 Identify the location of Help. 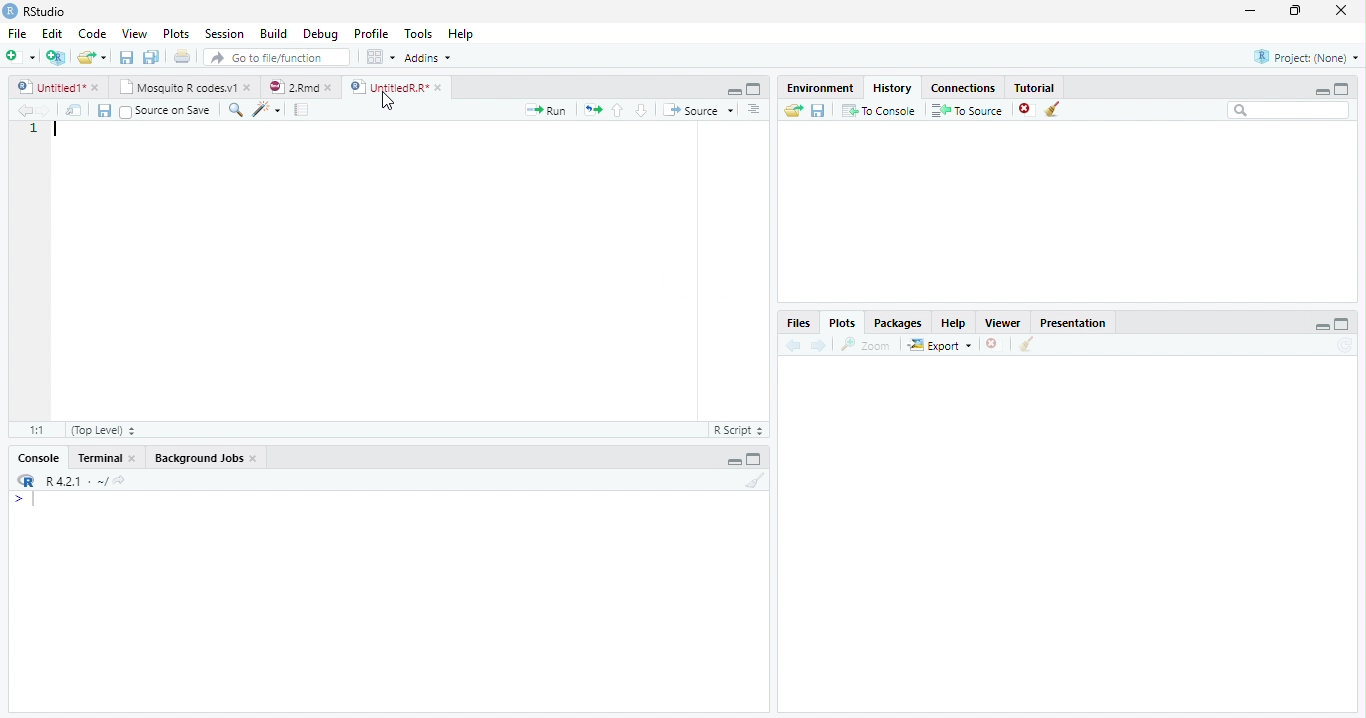
(954, 323).